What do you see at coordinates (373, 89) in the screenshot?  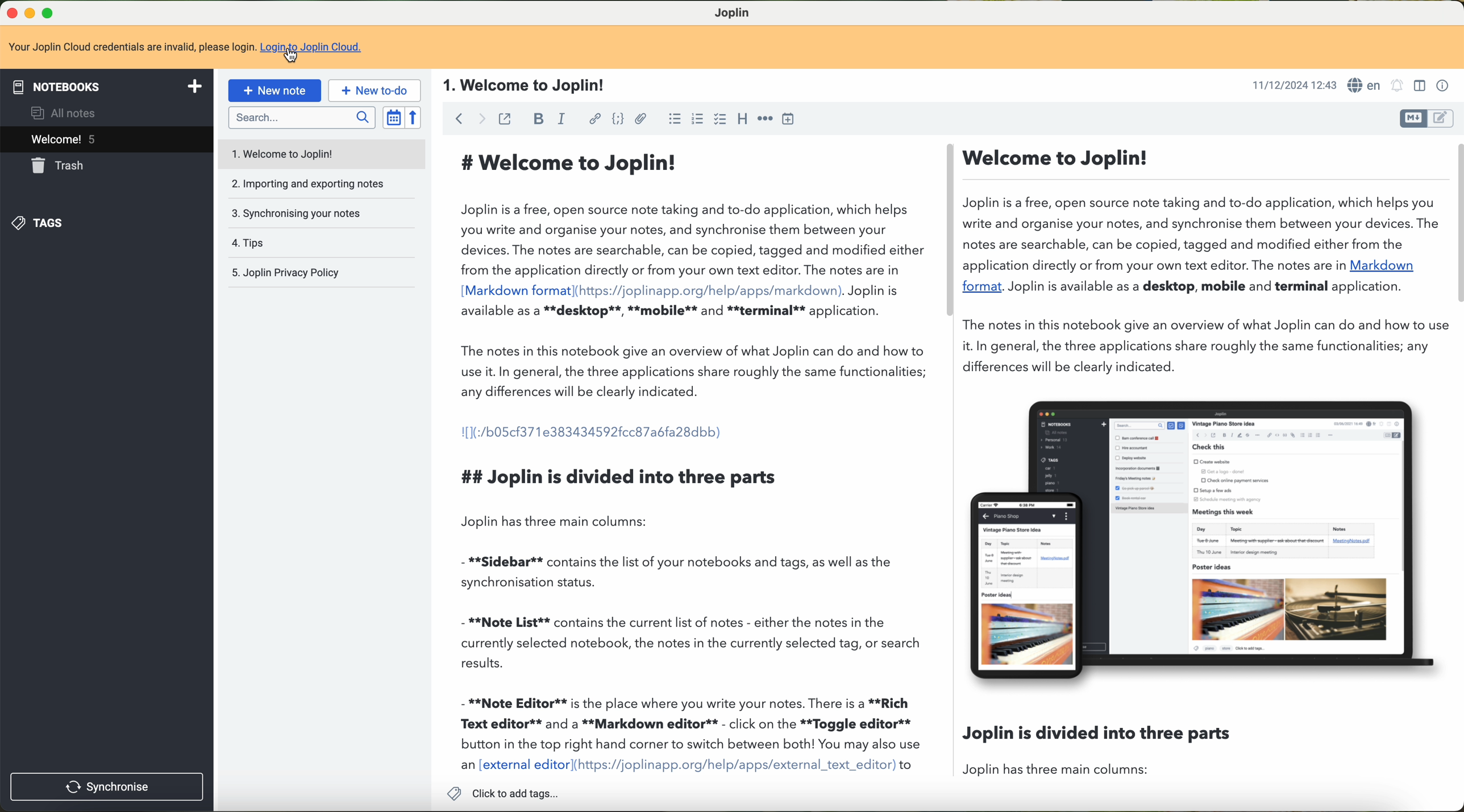 I see `new to-do` at bounding box center [373, 89].